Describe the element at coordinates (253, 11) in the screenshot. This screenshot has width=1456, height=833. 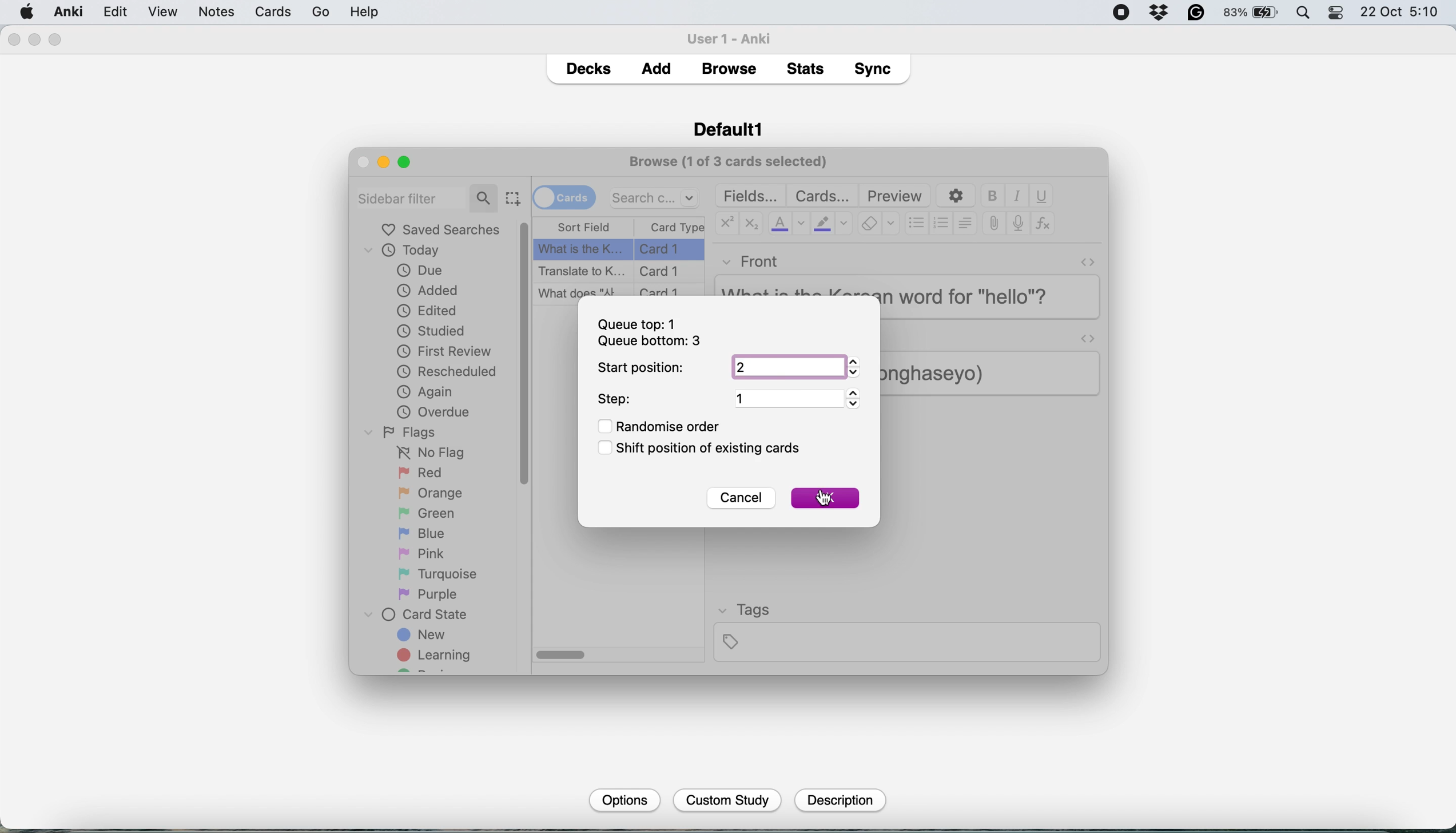
I see `tools` at that location.